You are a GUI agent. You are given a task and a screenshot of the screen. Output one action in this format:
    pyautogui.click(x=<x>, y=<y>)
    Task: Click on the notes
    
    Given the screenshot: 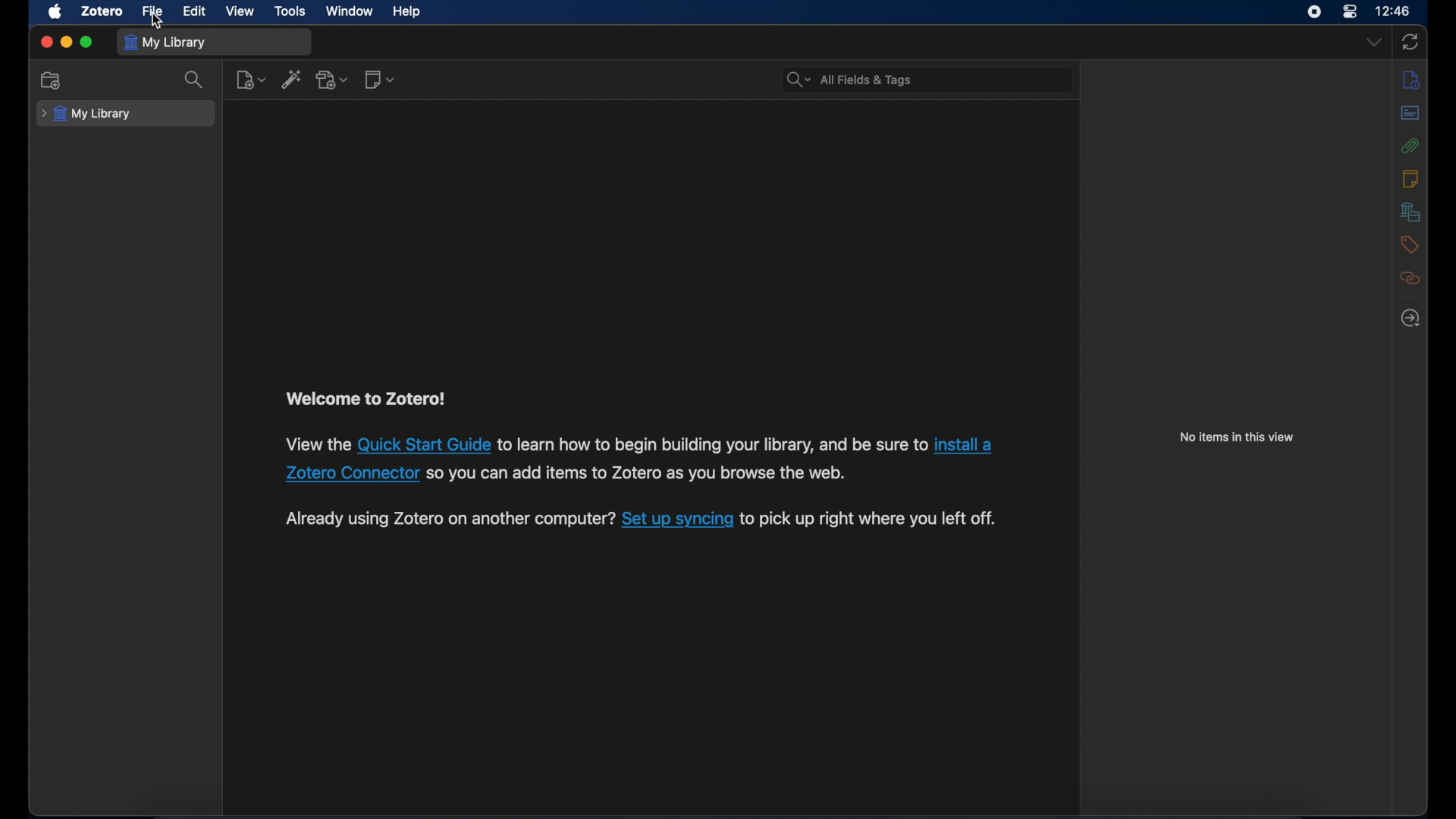 What is the action you would take?
    pyautogui.click(x=1411, y=178)
    